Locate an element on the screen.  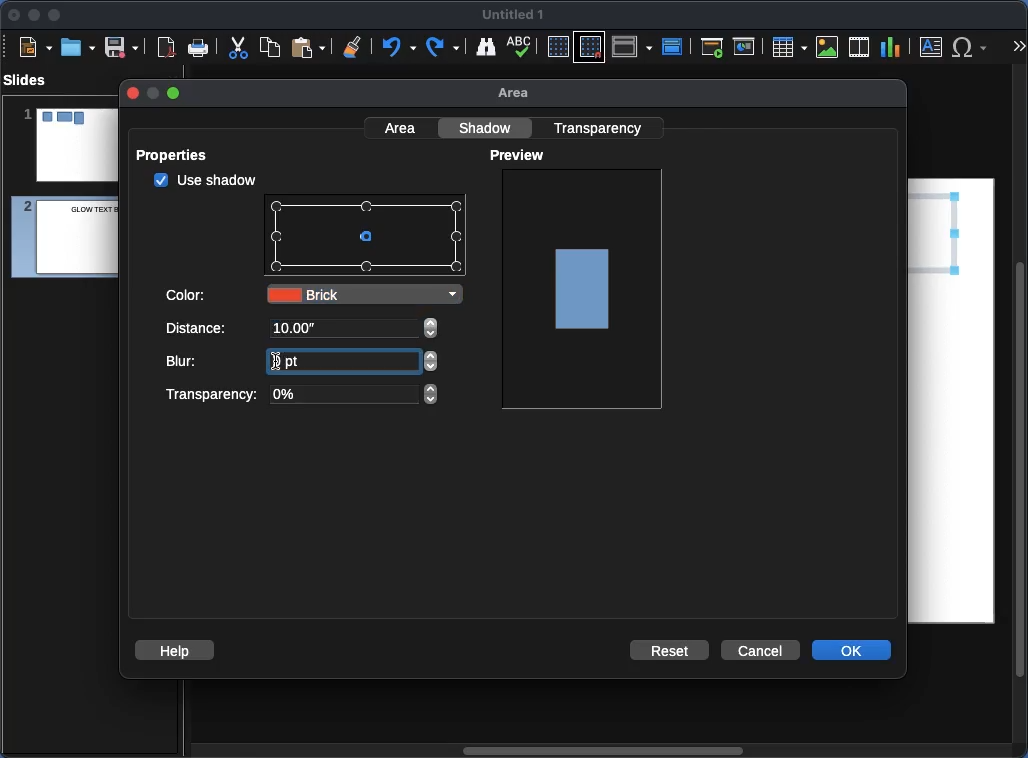
Clear formatting is located at coordinates (353, 45).